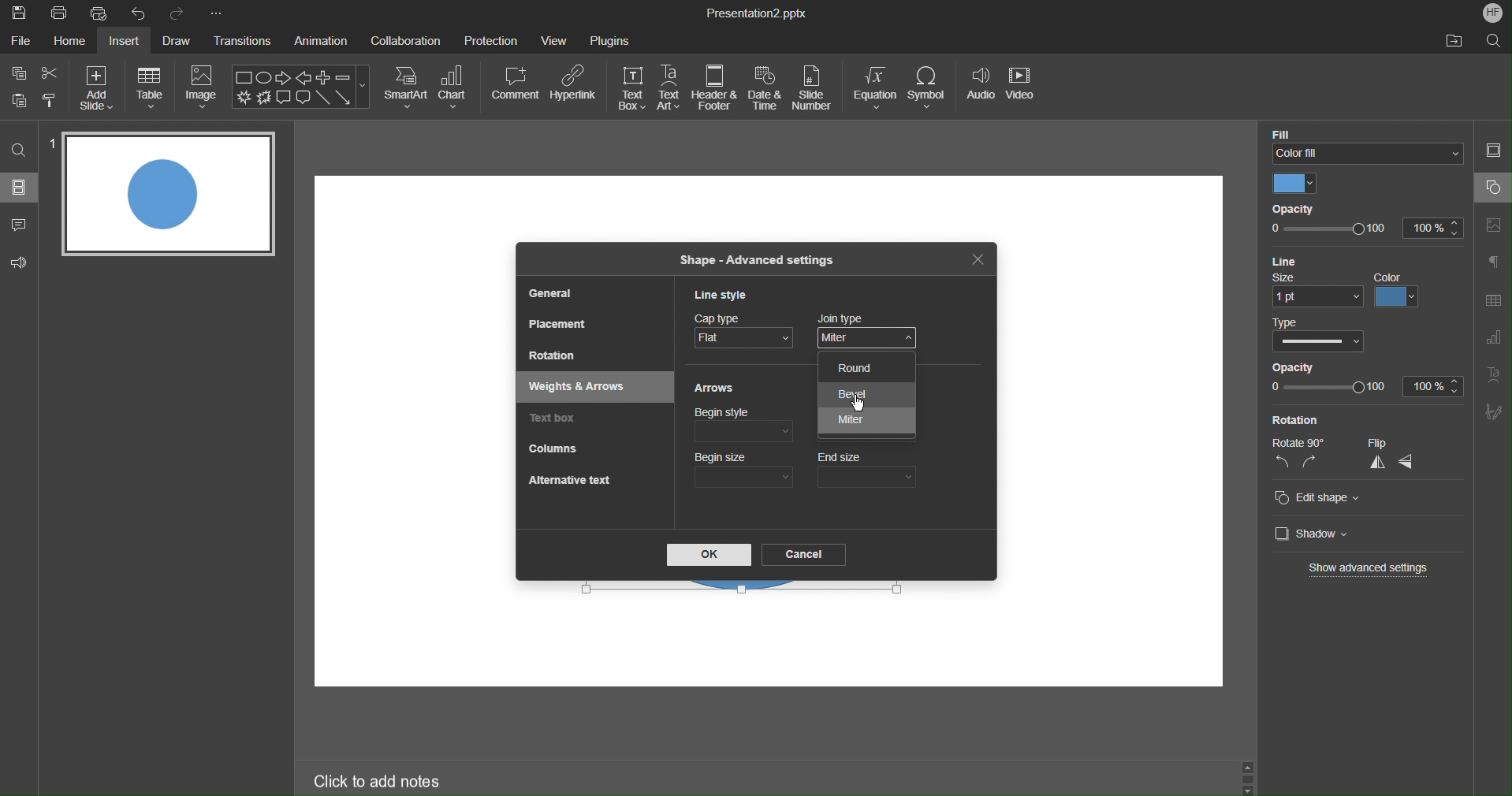 This screenshot has width=1512, height=796. Describe the element at coordinates (556, 40) in the screenshot. I see `View` at that location.